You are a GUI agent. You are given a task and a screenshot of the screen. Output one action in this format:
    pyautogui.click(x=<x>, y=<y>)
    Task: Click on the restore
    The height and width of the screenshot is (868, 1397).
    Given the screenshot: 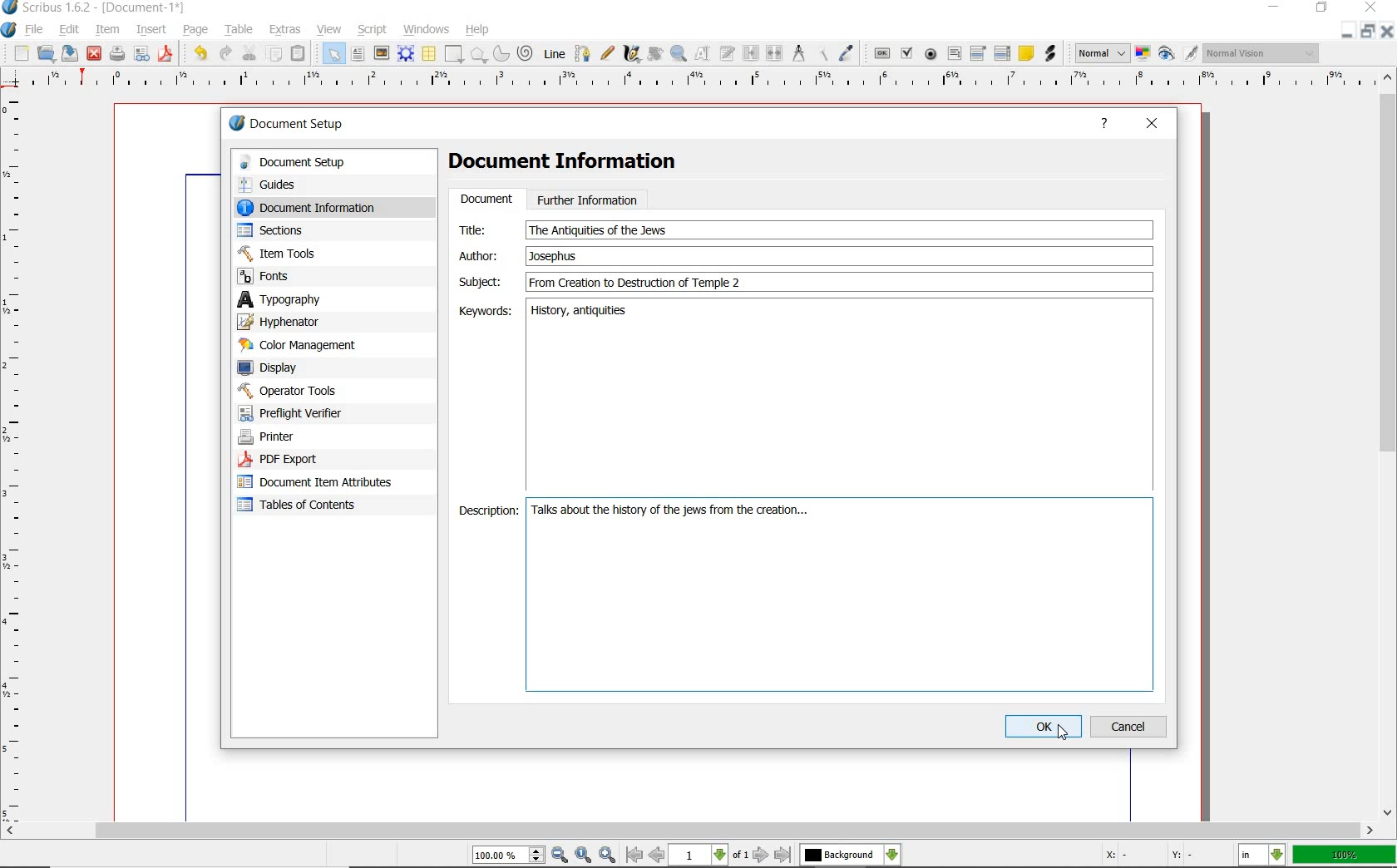 What is the action you would take?
    pyautogui.click(x=1370, y=31)
    